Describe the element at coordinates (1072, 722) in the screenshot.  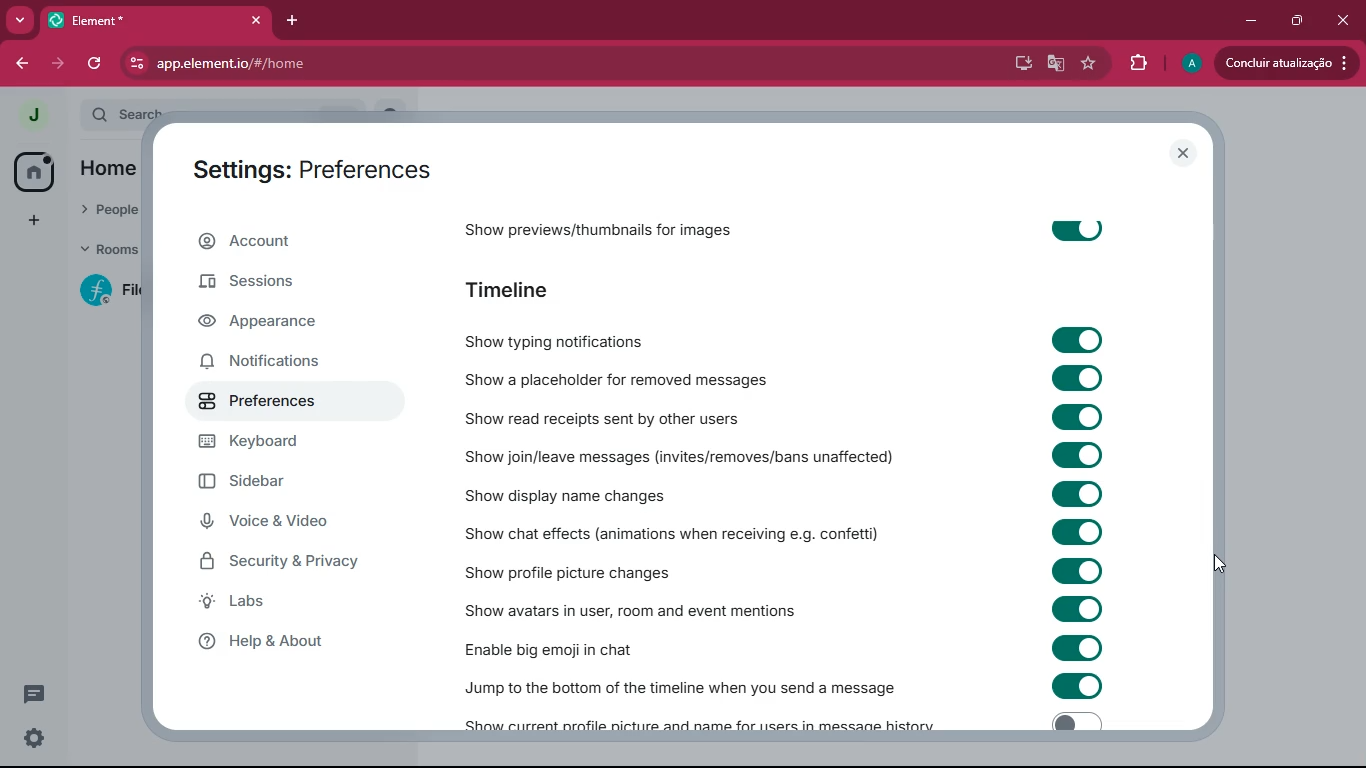
I see `toggle off` at that location.